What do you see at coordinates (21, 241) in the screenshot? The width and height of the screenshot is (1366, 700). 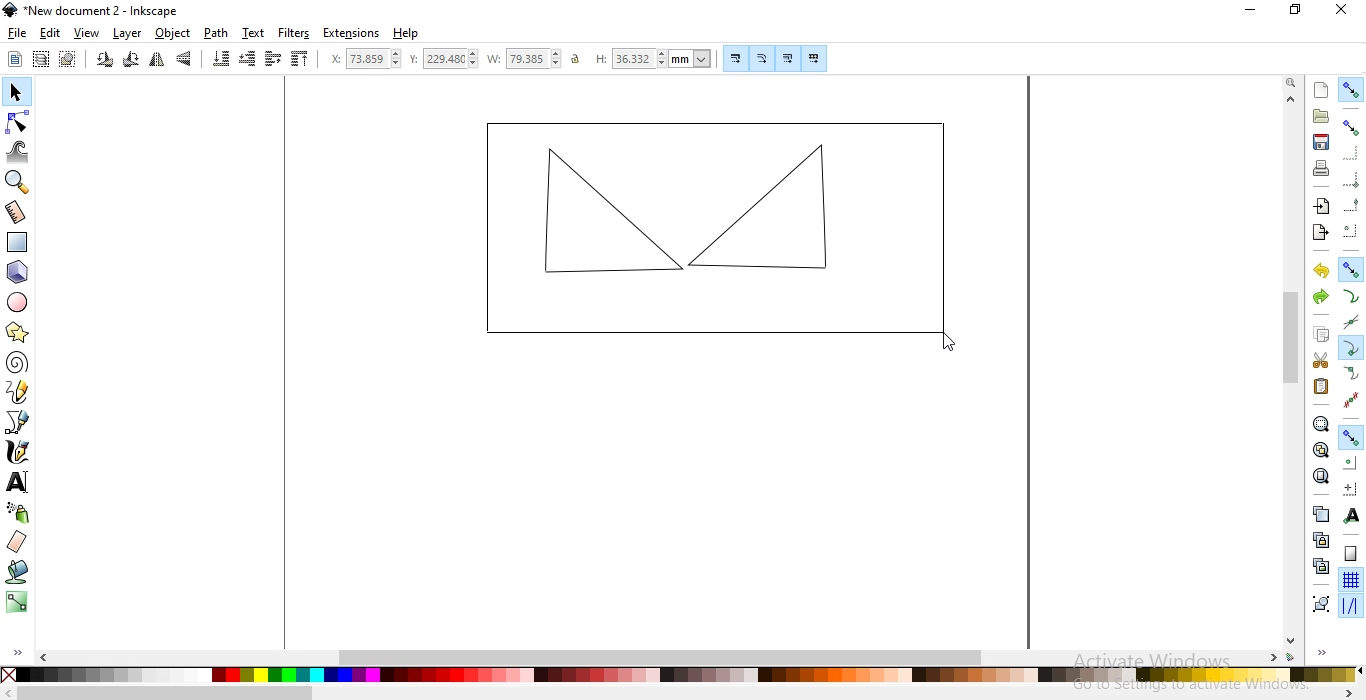 I see `create rectangle and squares` at bounding box center [21, 241].